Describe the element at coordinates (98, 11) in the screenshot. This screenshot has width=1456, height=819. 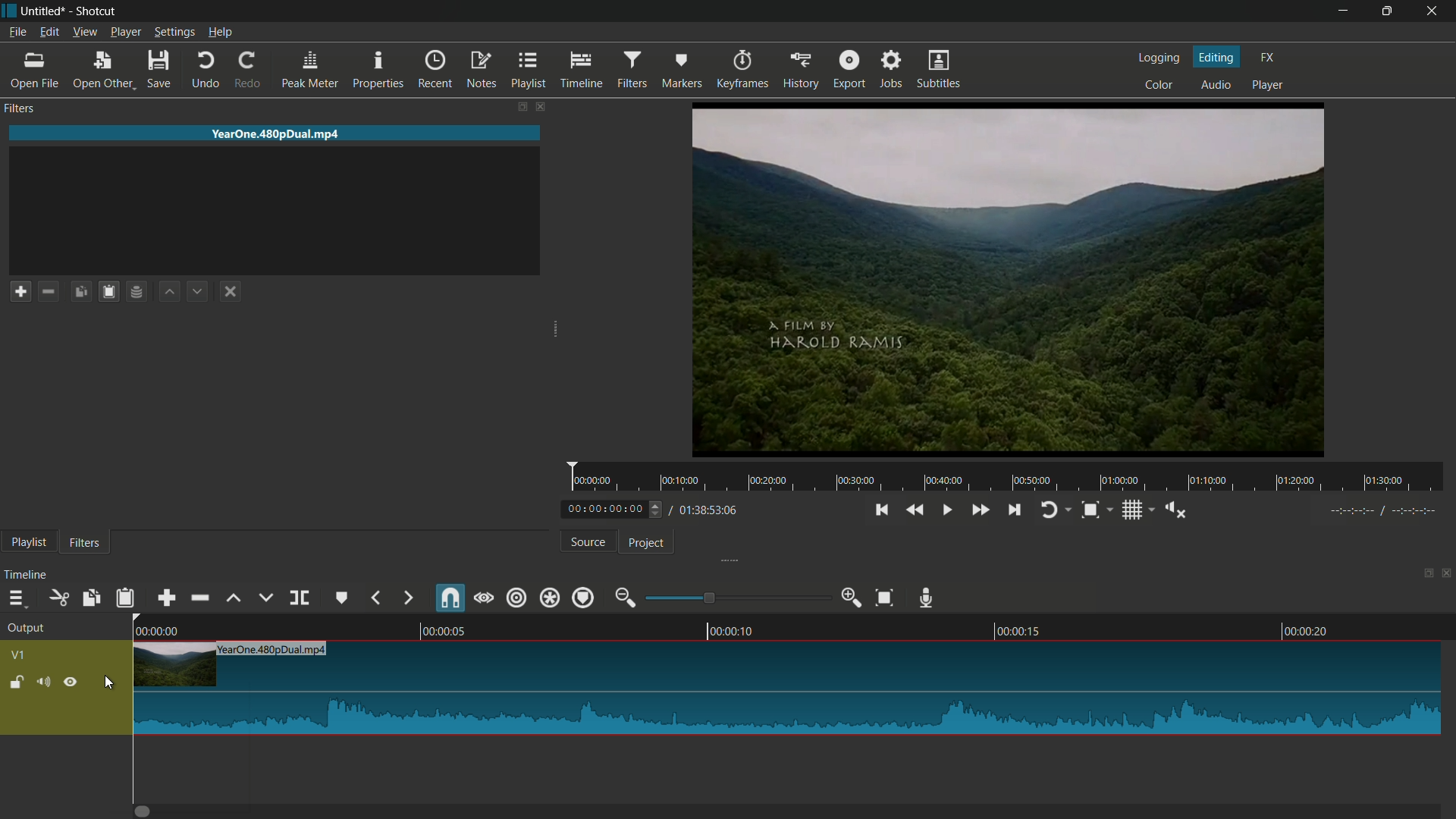
I see `app name` at that location.